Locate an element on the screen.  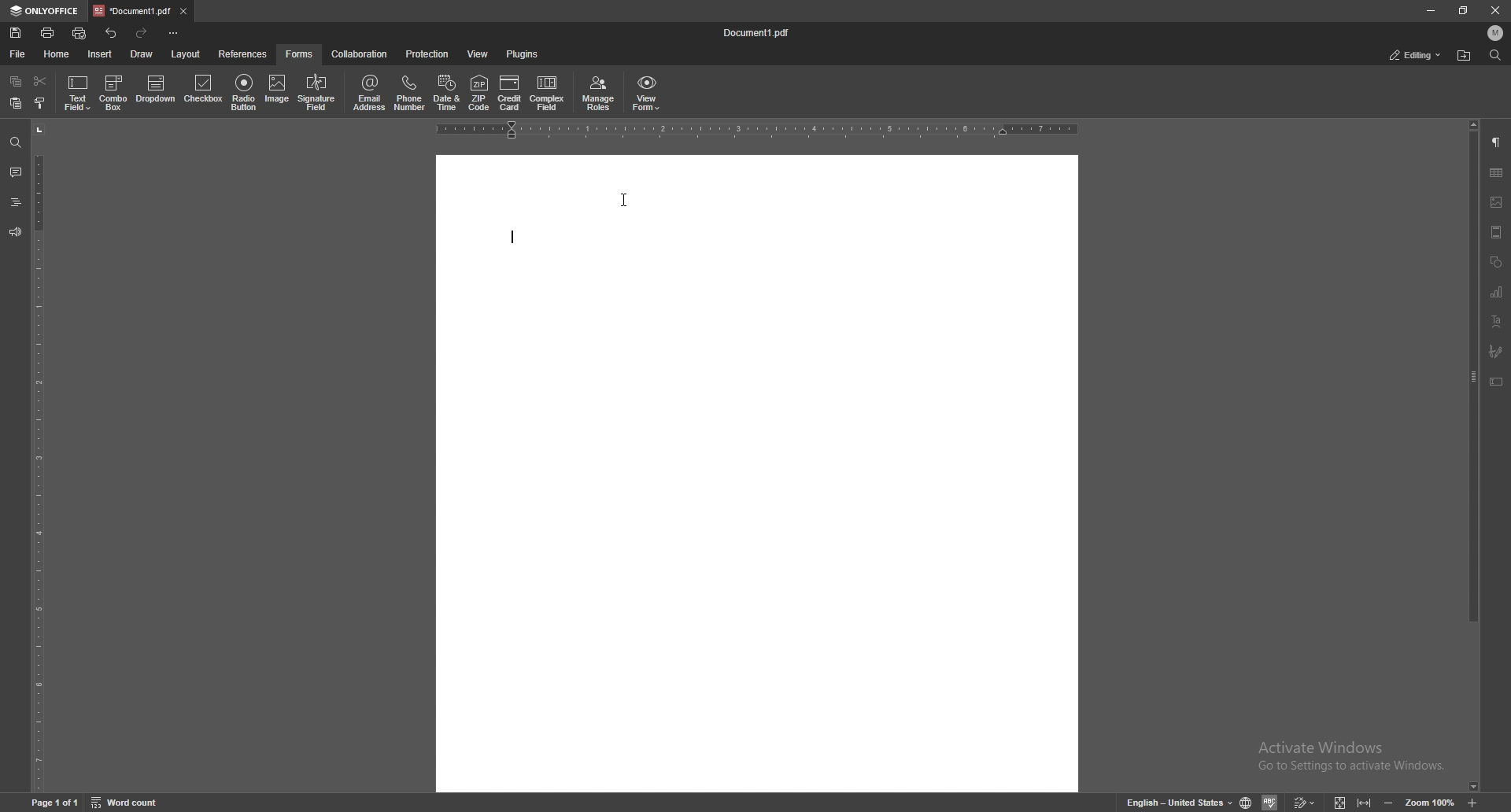
email address is located at coordinates (370, 93).